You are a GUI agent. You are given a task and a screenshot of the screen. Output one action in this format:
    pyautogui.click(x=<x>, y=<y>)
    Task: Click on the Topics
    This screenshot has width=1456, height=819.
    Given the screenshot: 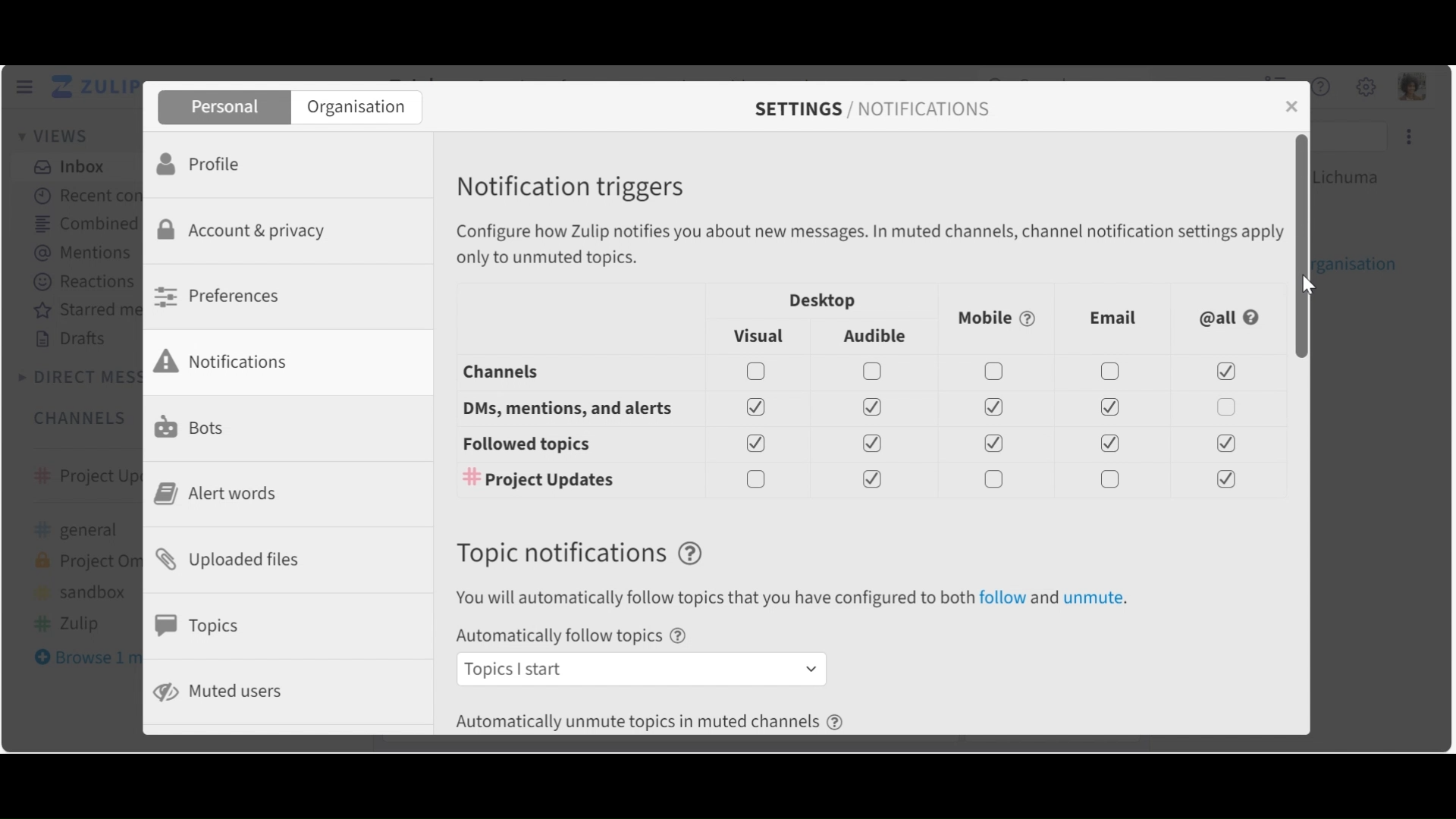 What is the action you would take?
    pyautogui.click(x=202, y=626)
    